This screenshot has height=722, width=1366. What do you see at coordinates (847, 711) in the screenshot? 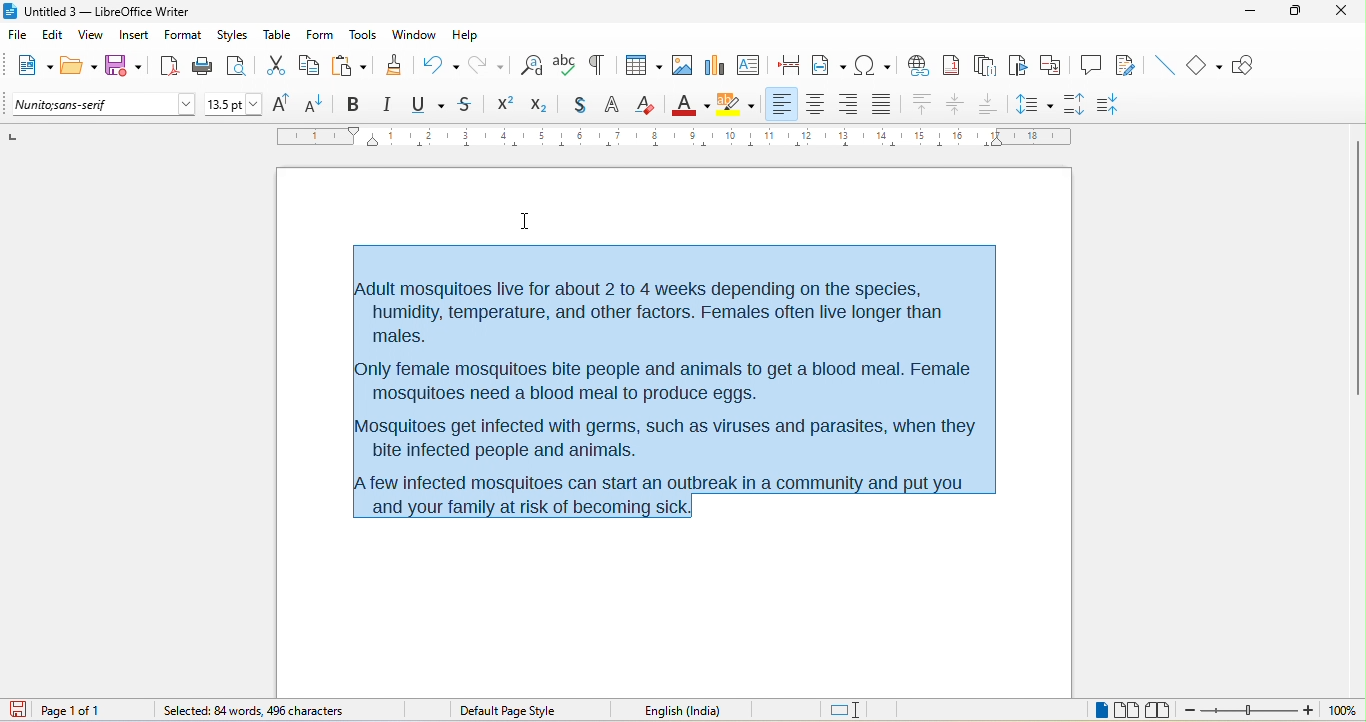
I see `standard selection` at bounding box center [847, 711].